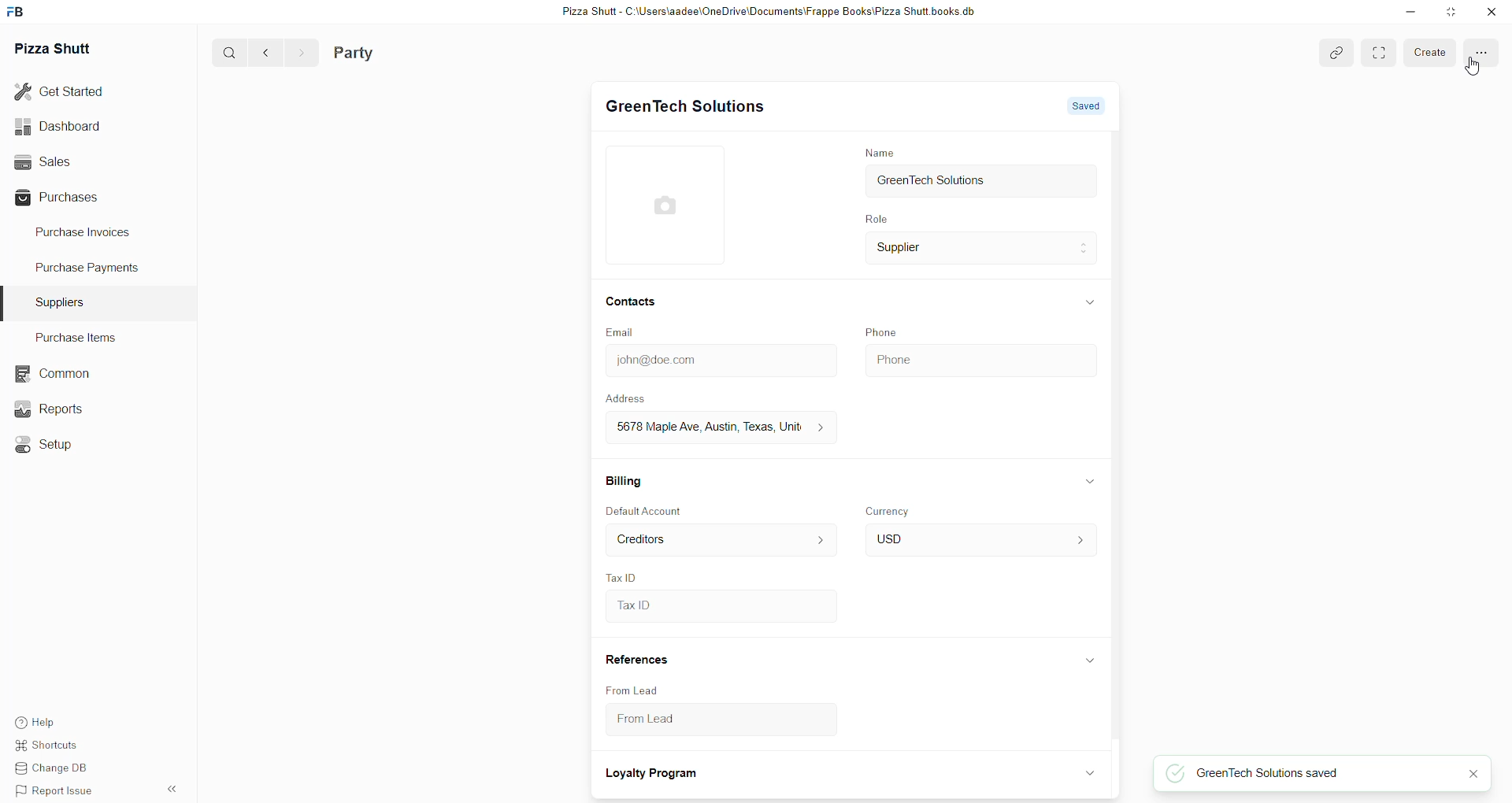 The height and width of the screenshot is (803, 1512). What do you see at coordinates (622, 575) in the screenshot?
I see `Tax ID` at bounding box center [622, 575].